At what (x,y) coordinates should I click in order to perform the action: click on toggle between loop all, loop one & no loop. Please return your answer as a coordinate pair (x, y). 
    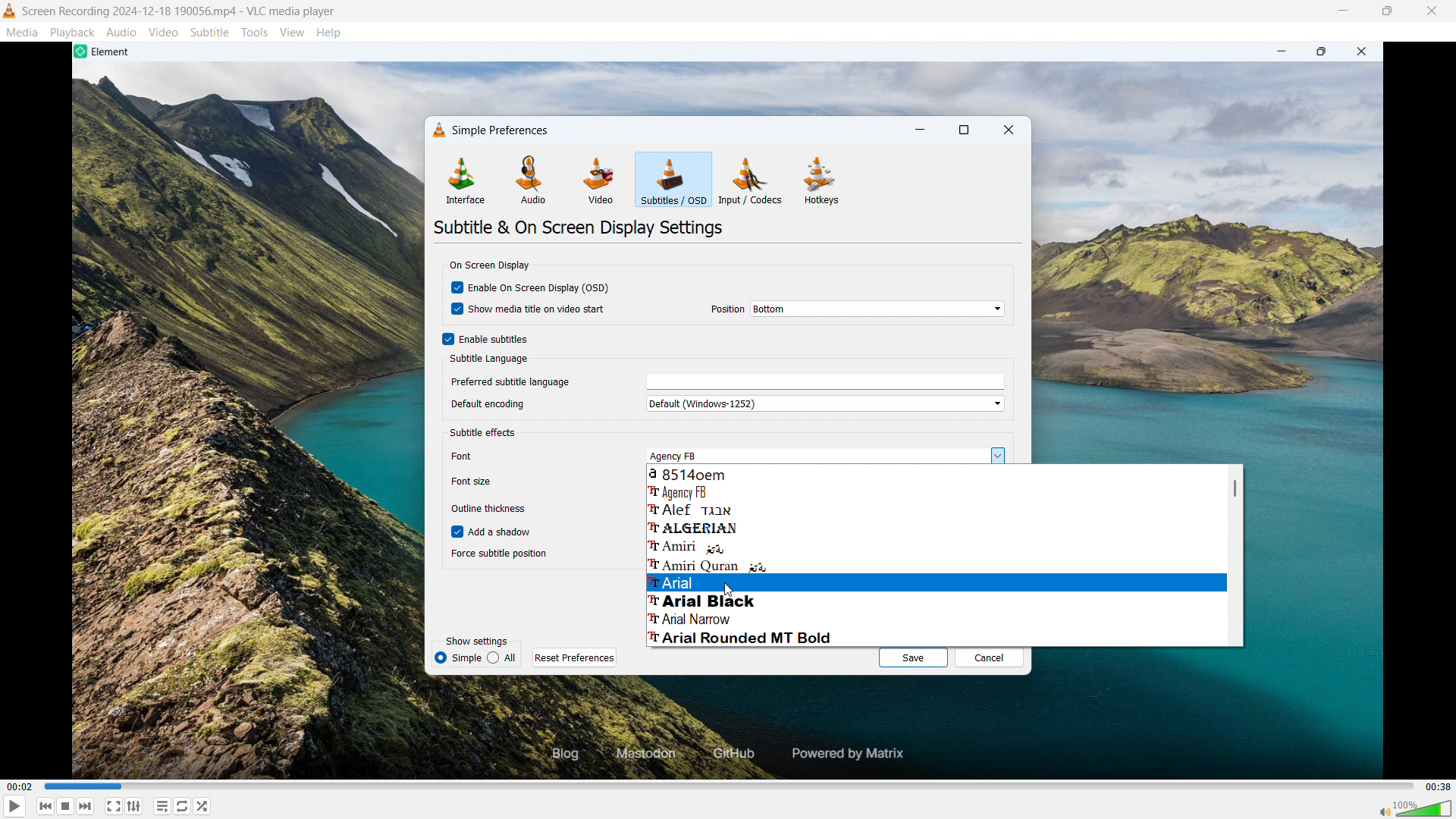
    Looking at the image, I should click on (182, 806).